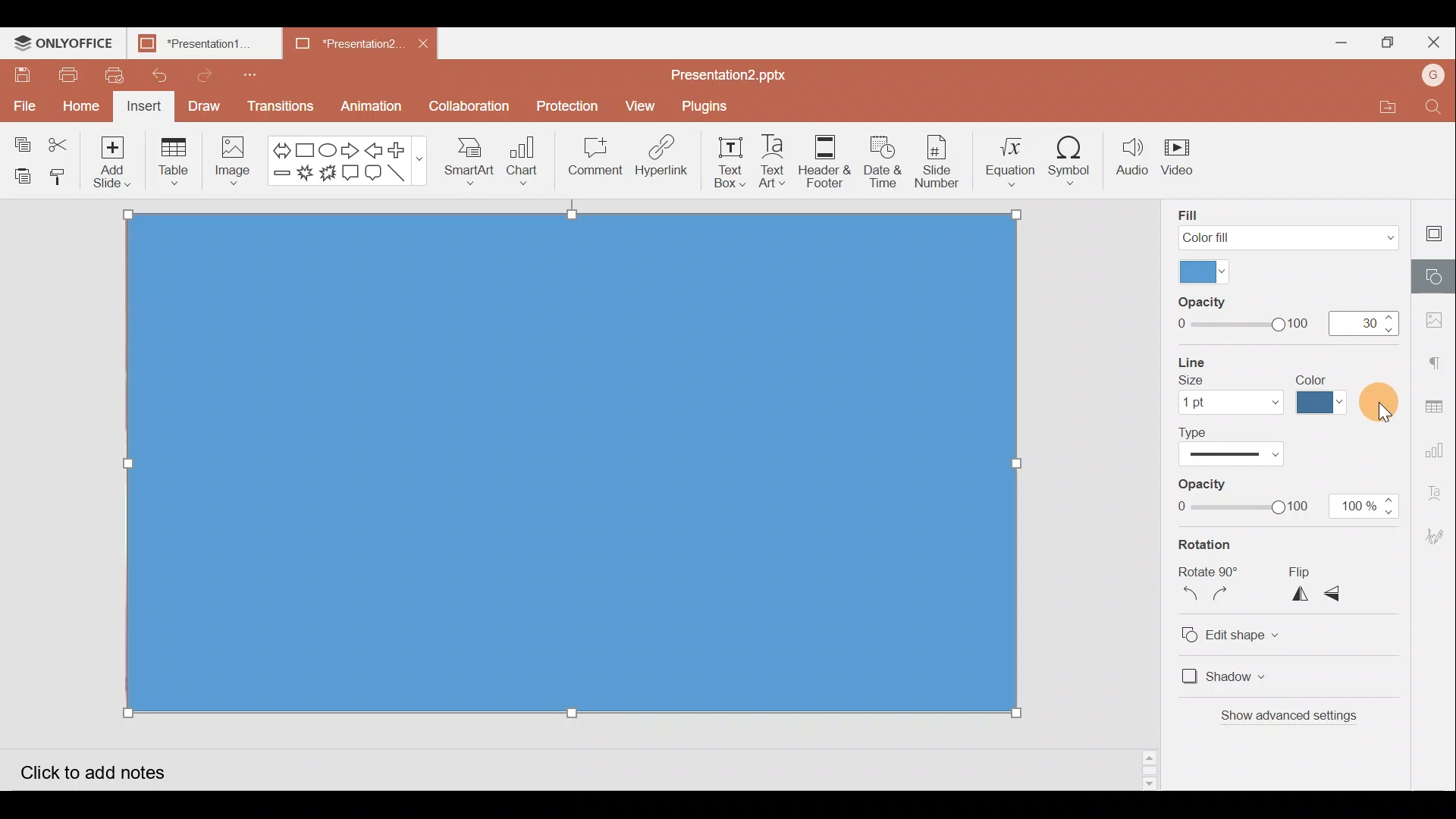 Image resolution: width=1456 pixels, height=819 pixels. I want to click on Text Art settings, so click(1441, 490).